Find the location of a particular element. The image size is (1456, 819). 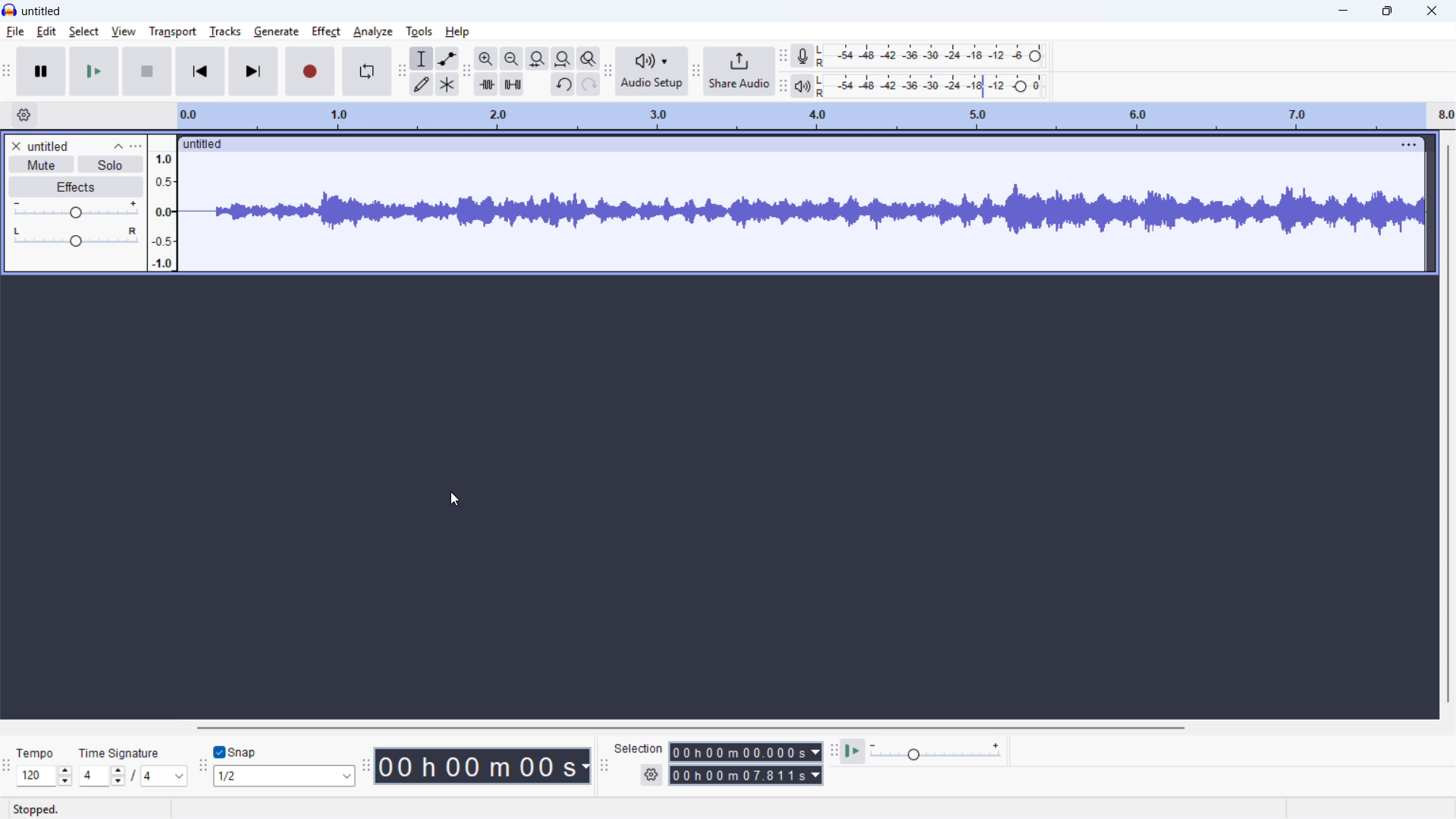

trim audio outside selection is located at coordinates (485, 85).